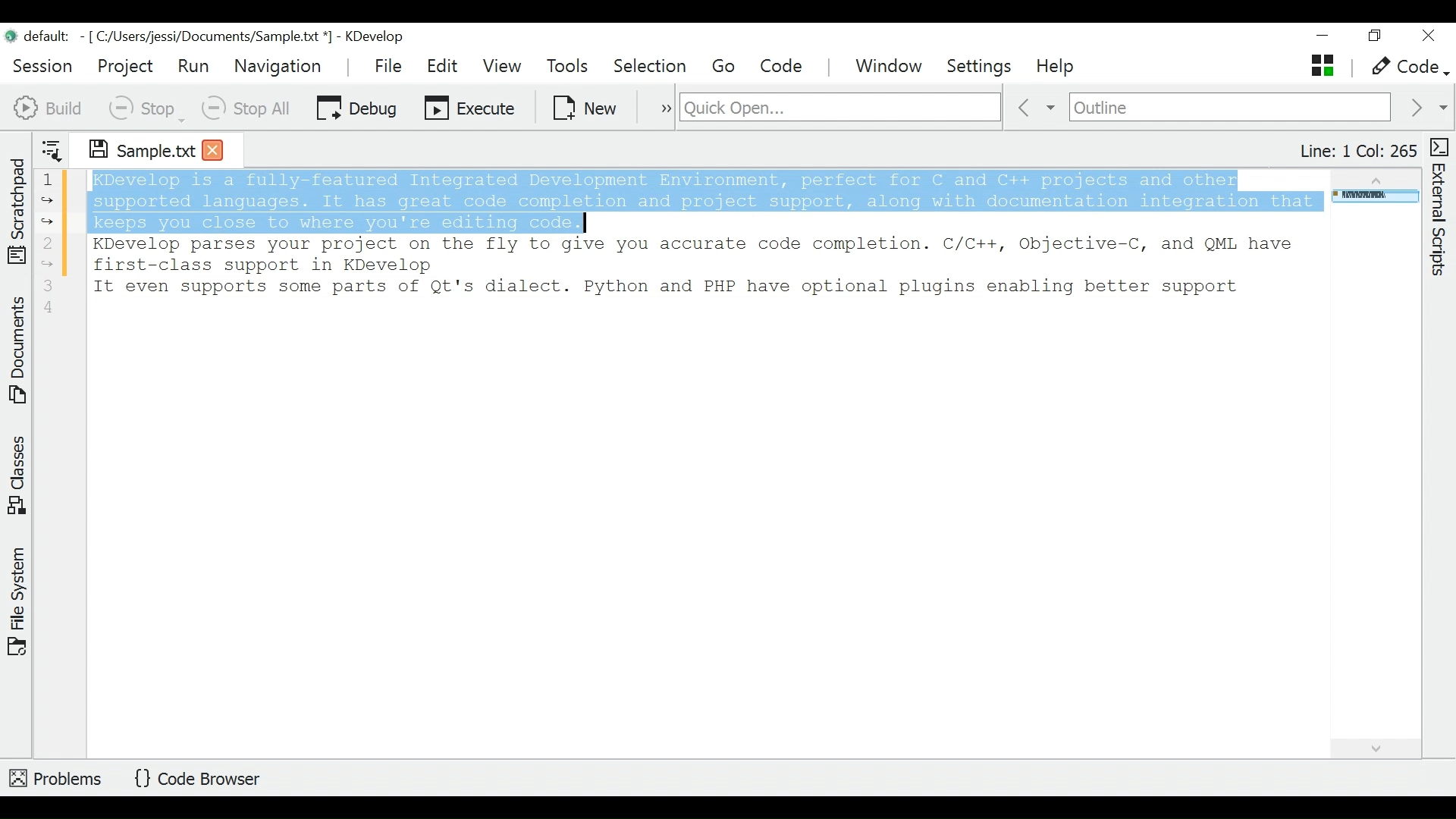  Describe the element at coordinates (131, 147) in the screenshot. I see `Sample.txt` at that location.